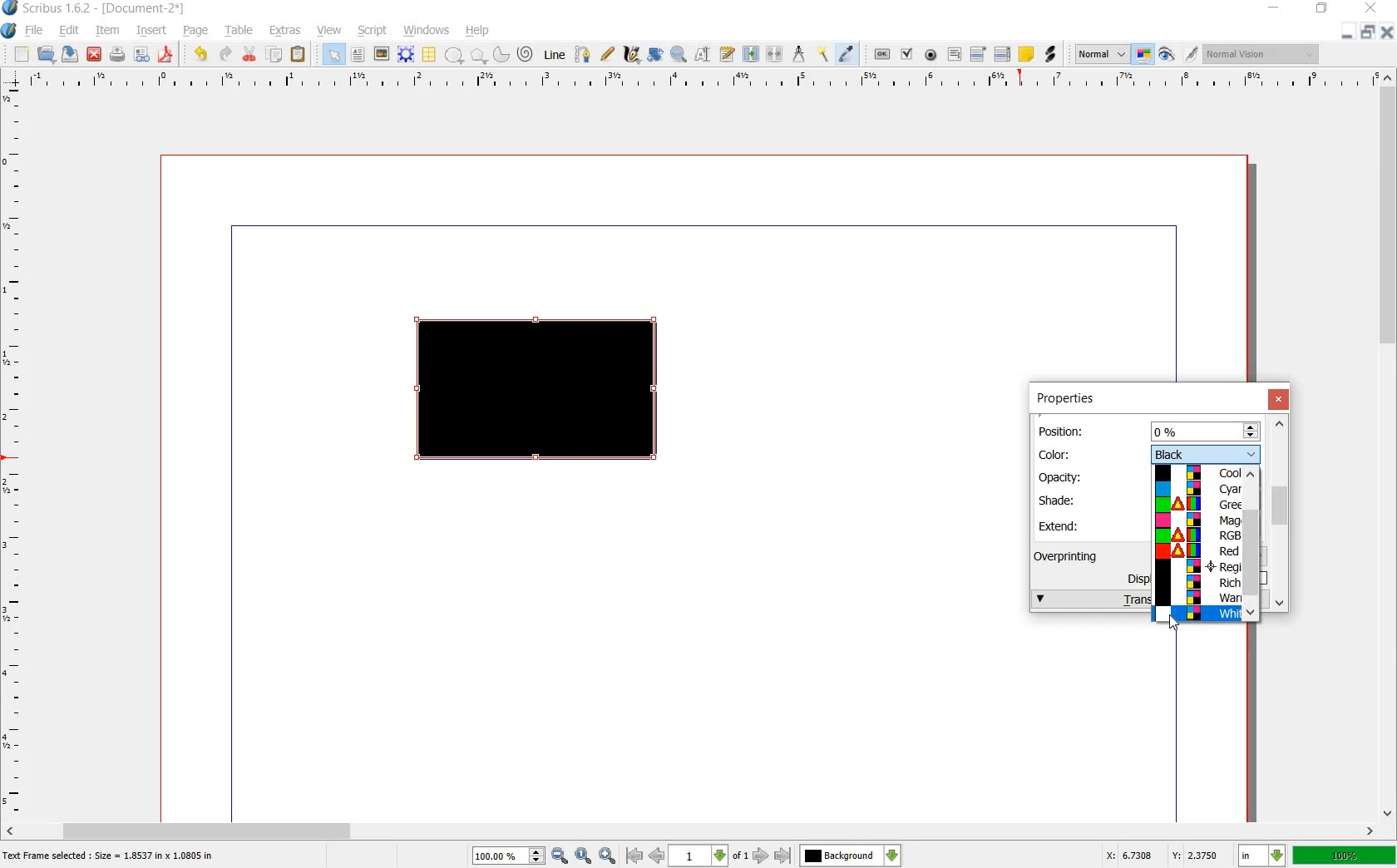 The image size is (1397, 868). What do you see at coordinates (22, 55) in the screenshot?
I see `new` at bounding box center [22, 55].